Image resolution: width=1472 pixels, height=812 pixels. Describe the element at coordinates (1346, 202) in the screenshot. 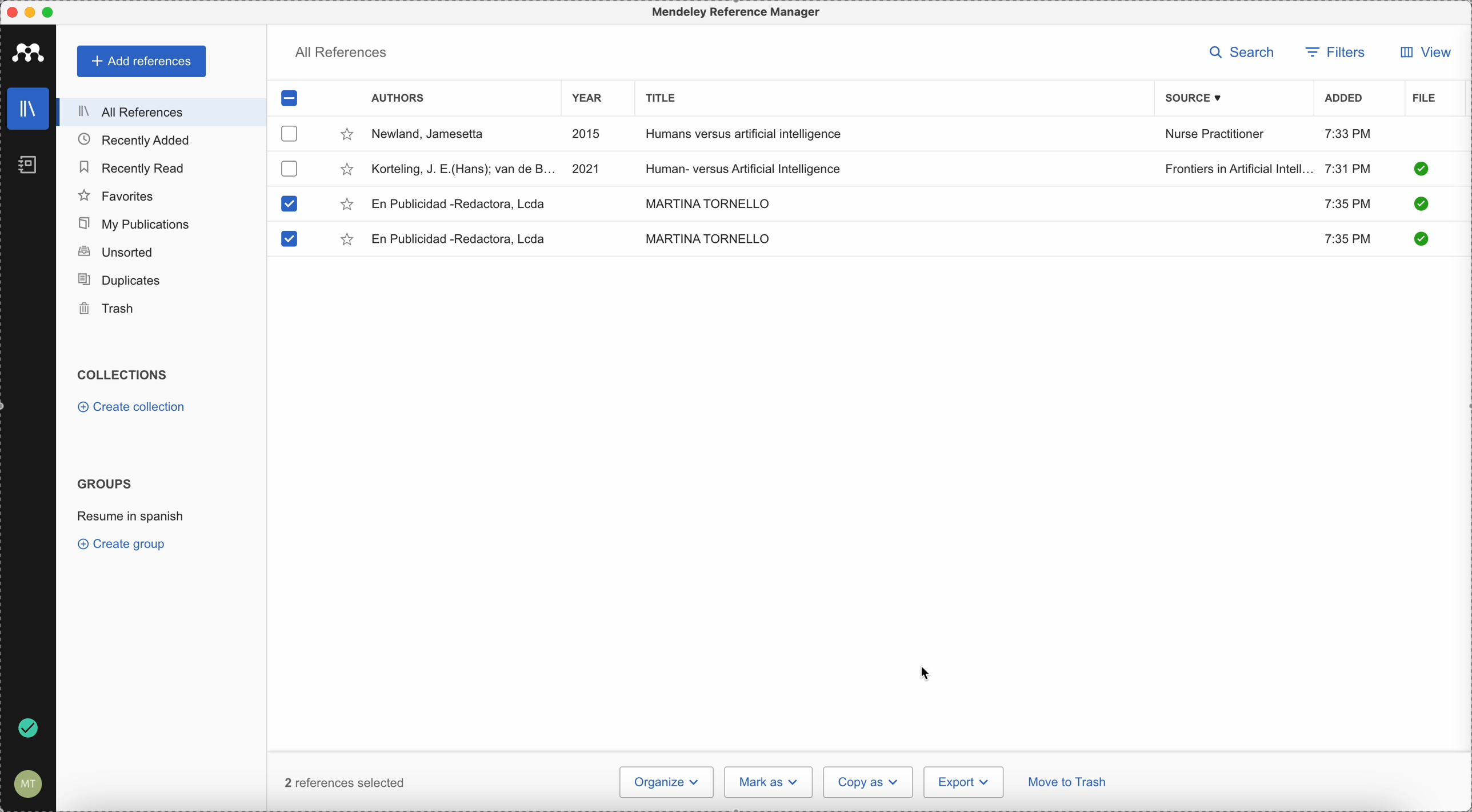

I see `7:35 PM` at that location.